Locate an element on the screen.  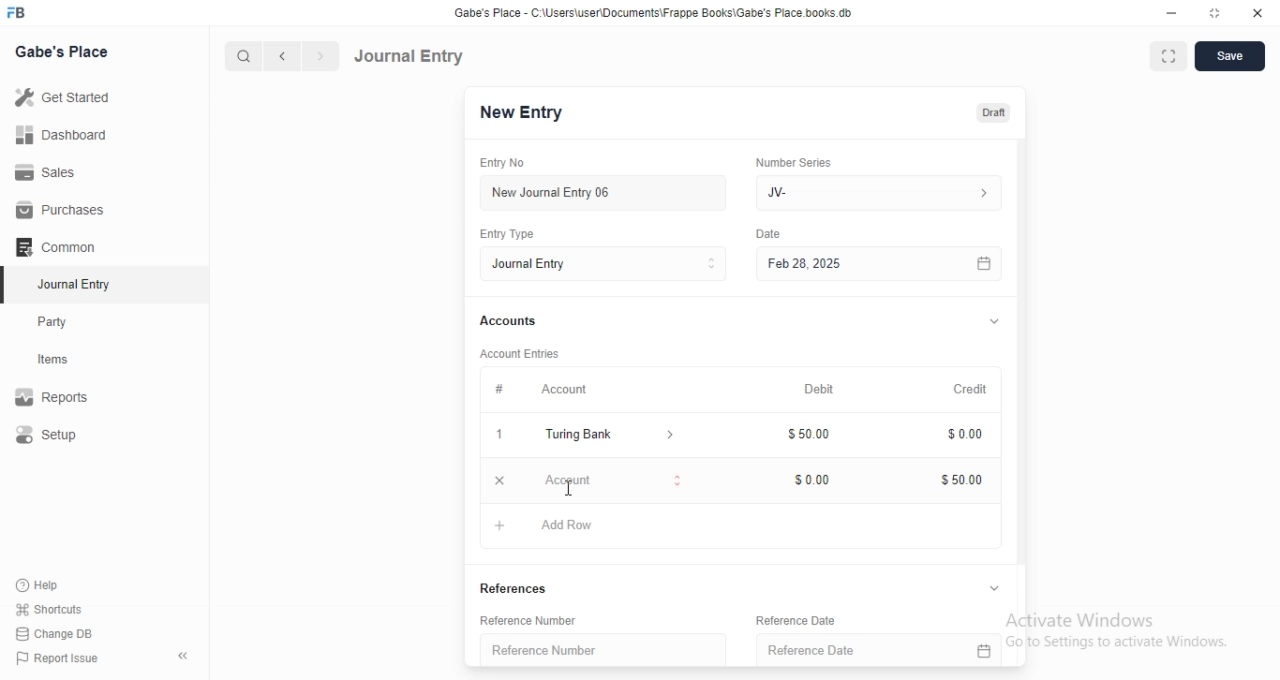
Credit is located at coordinates (970, 389).